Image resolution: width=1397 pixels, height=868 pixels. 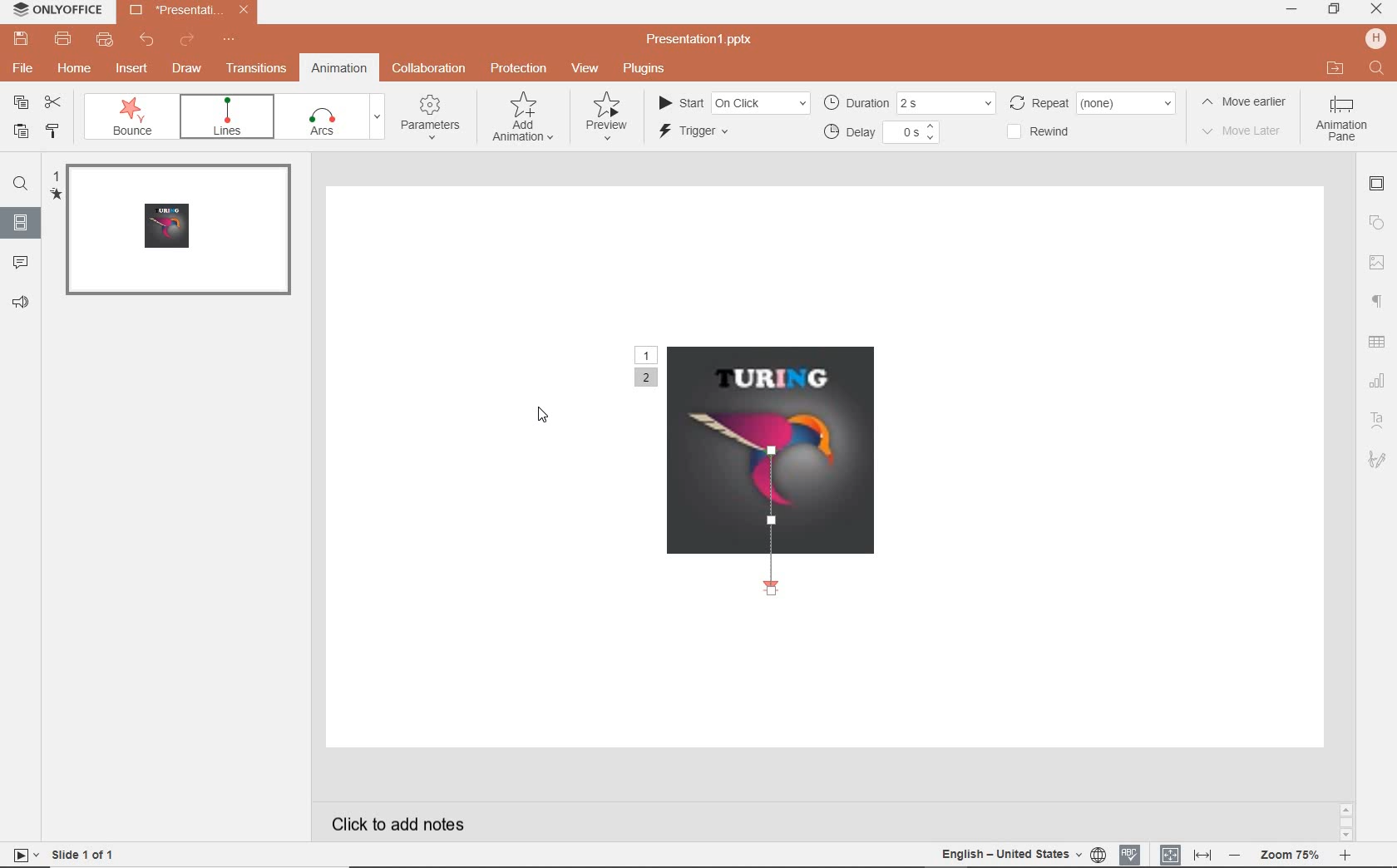 I want to click on start, so click(x=732, y=101).